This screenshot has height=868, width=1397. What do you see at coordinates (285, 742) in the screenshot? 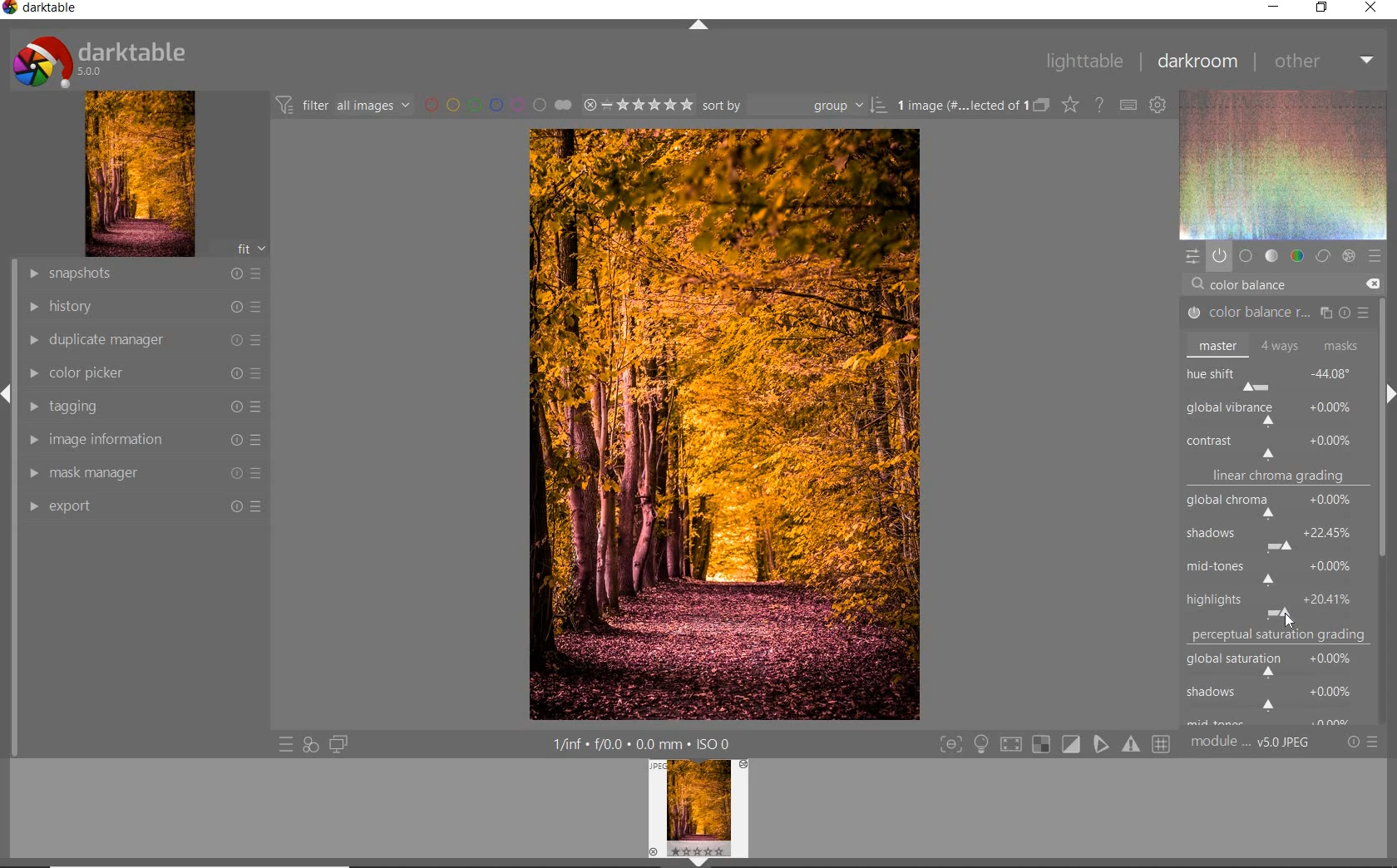
I see `quick access to preset` at bounding box center [285, 742].